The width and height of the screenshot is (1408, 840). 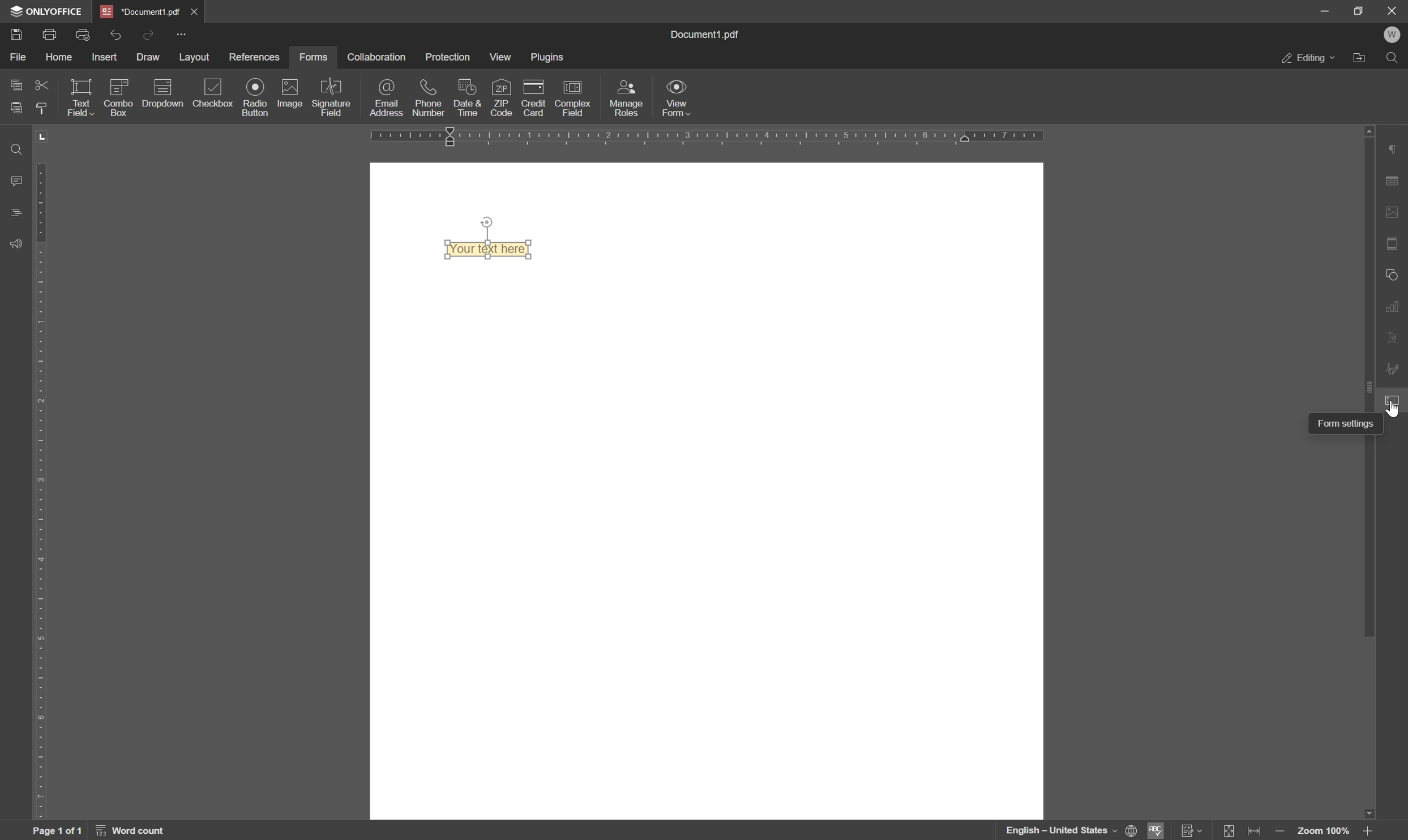 I want to click on protection, so click(x=450, y=58).